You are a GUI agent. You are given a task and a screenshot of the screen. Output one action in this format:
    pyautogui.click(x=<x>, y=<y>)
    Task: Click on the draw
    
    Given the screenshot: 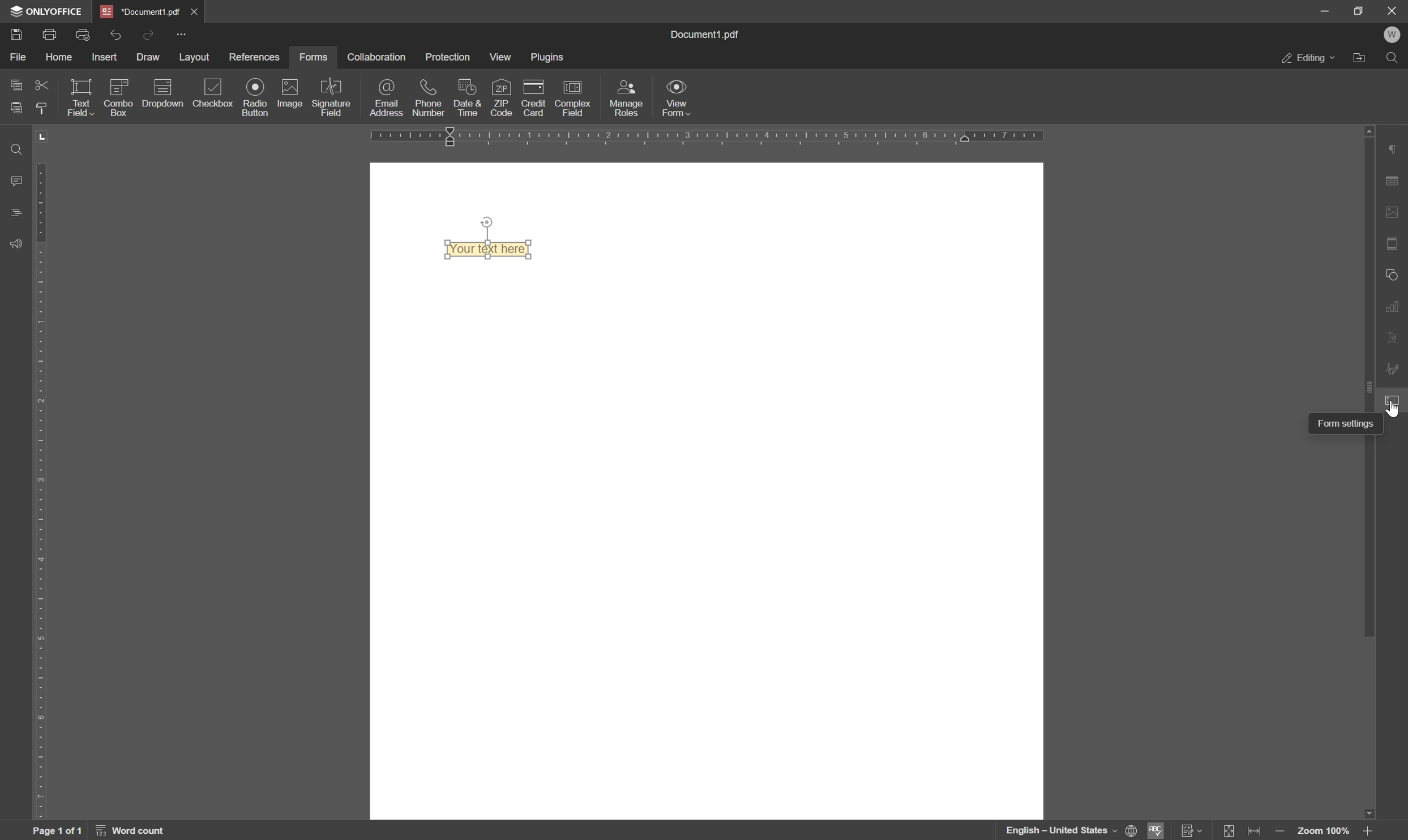 What is the action you would take?
    pyautogui.click(x=148, y=55)
    